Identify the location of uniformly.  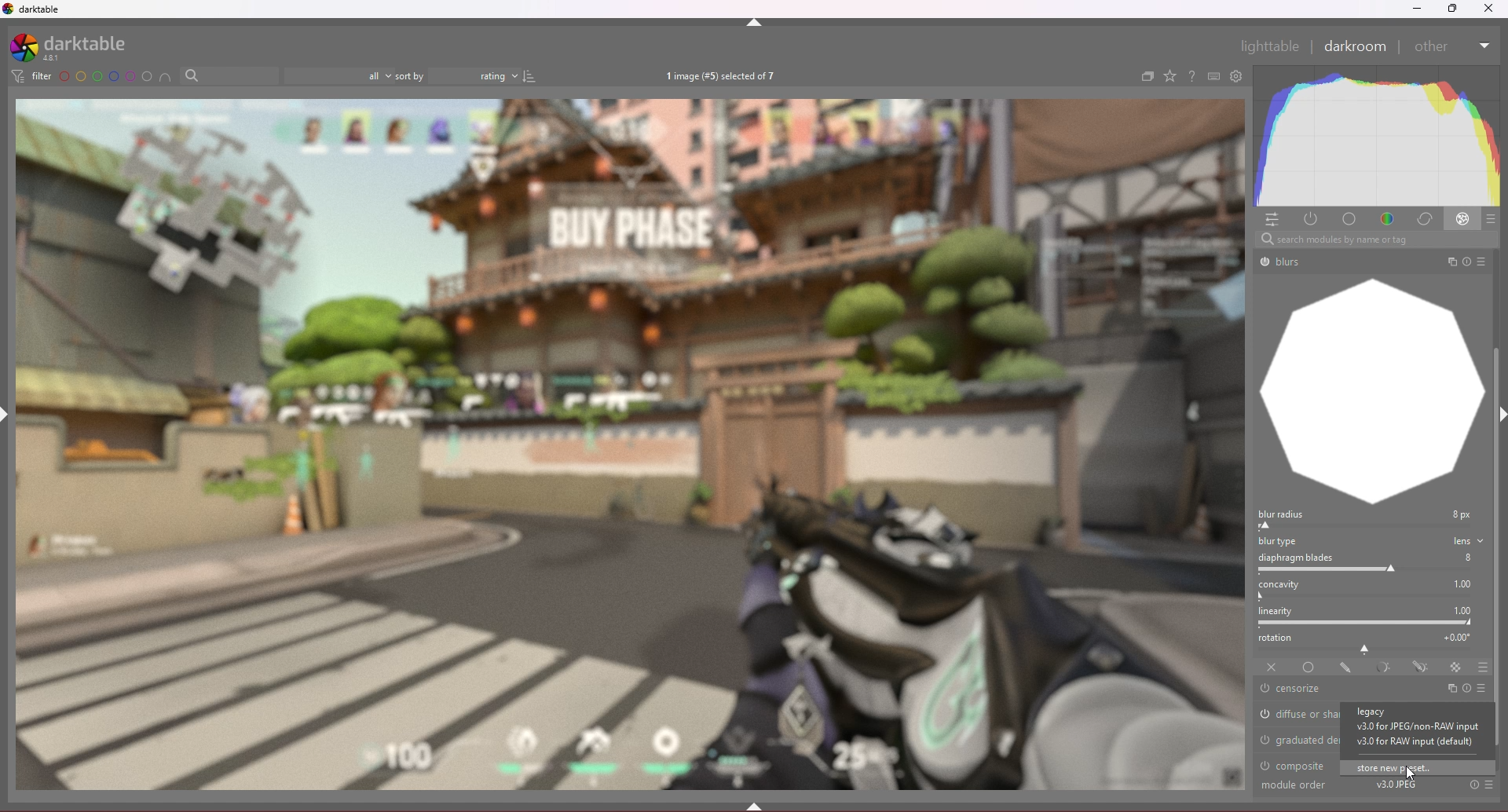
(1309, 668).